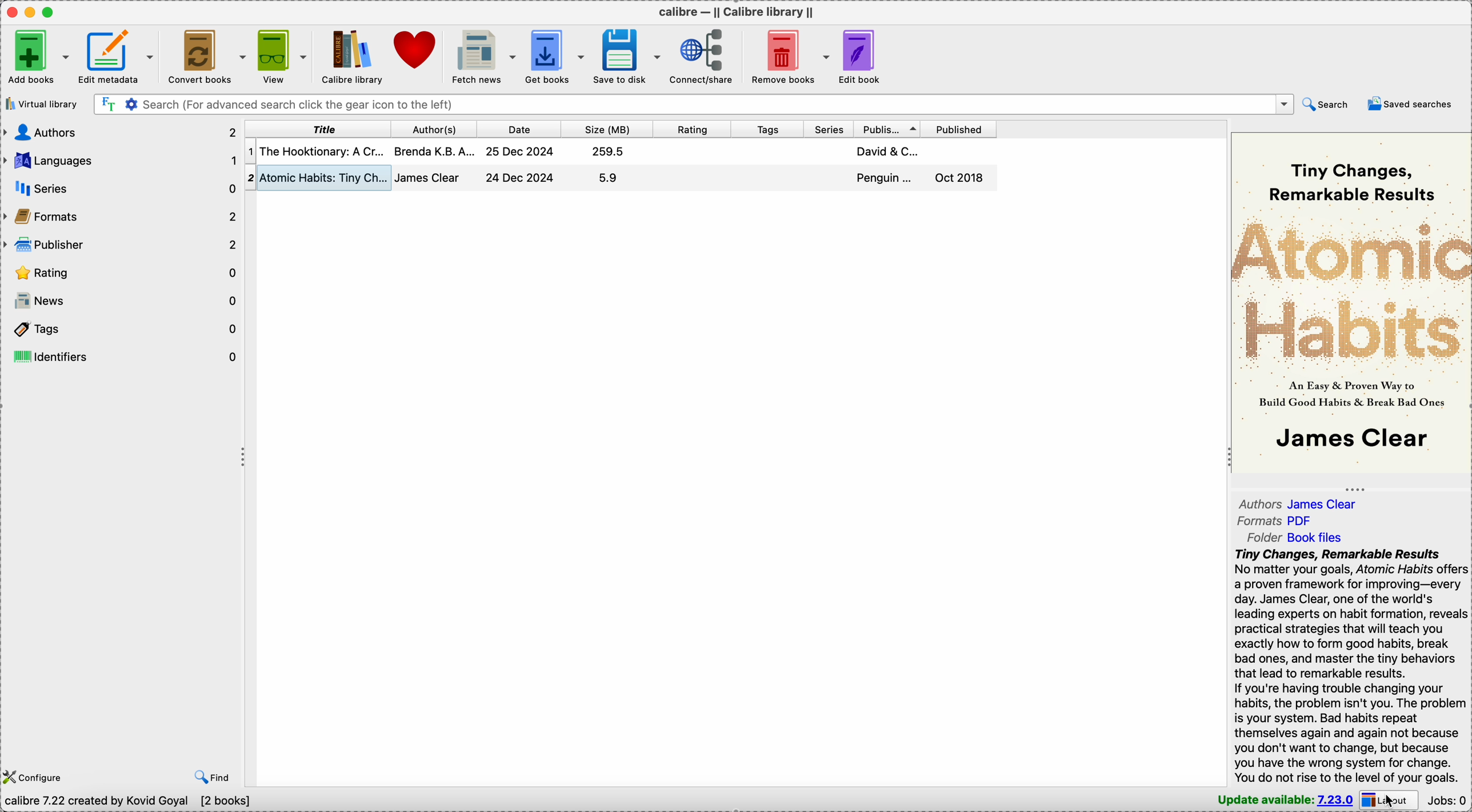 Image resolution: width=1472 pixels, height=812 pixels. Describe the element at coordinates (418, 49) in the screenshot. I see `donate` at that location.